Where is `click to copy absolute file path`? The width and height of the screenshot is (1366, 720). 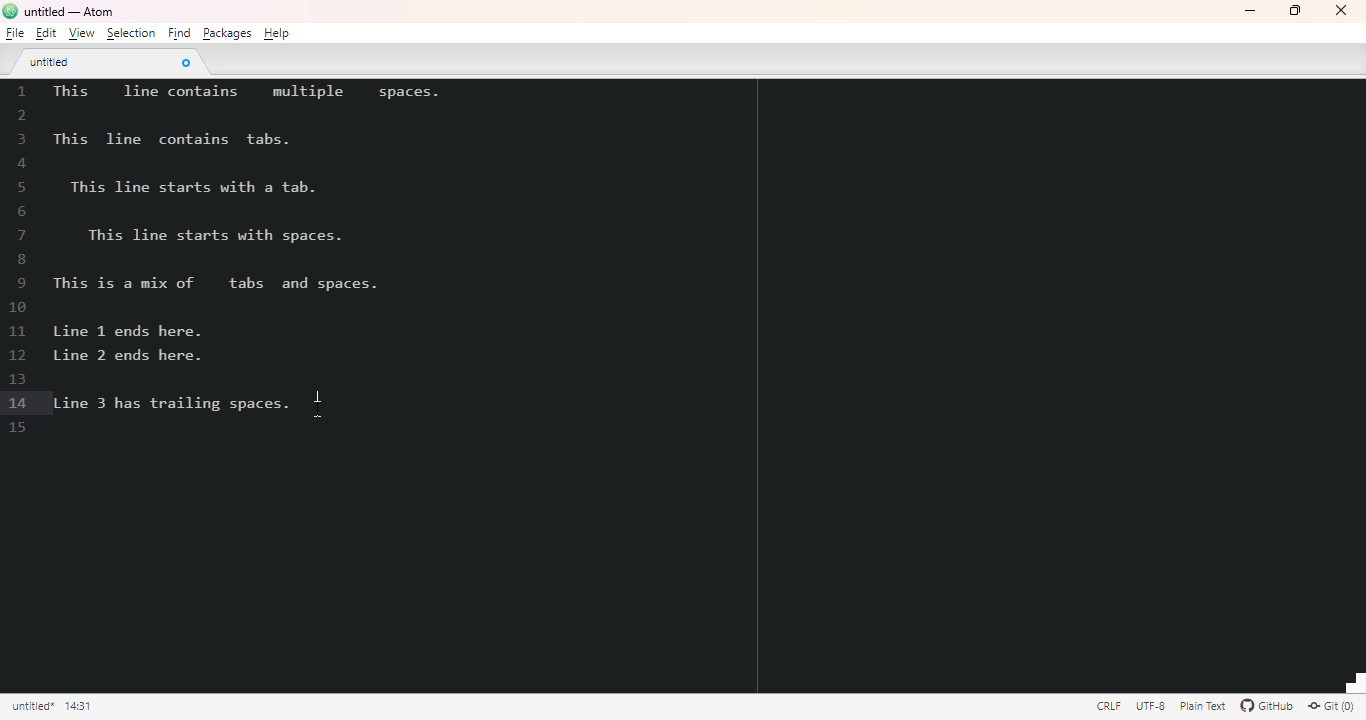
click to copy absolute file path is located at coordinates (32, 706).